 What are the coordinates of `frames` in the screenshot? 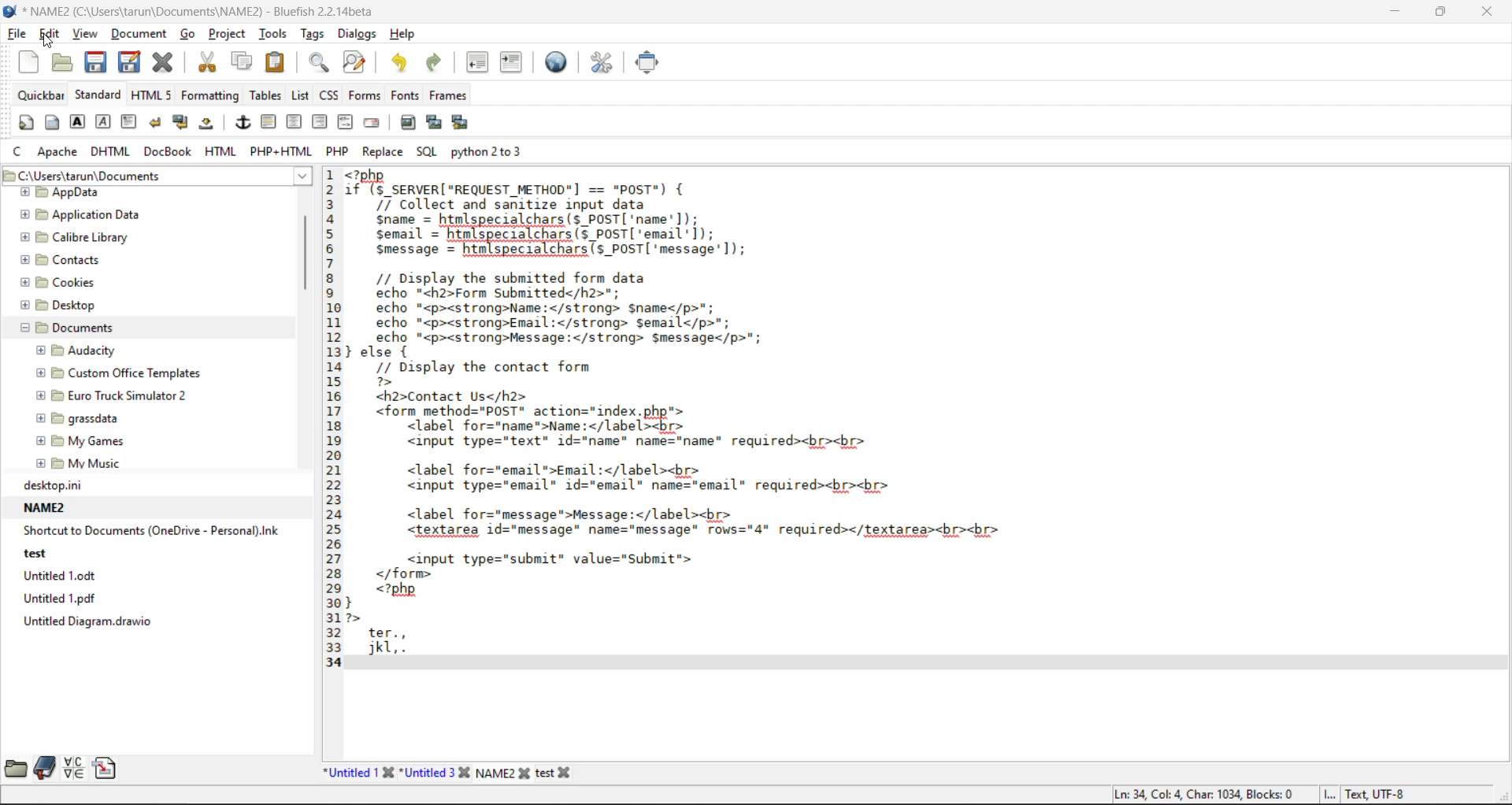 It's located at (451, 95).